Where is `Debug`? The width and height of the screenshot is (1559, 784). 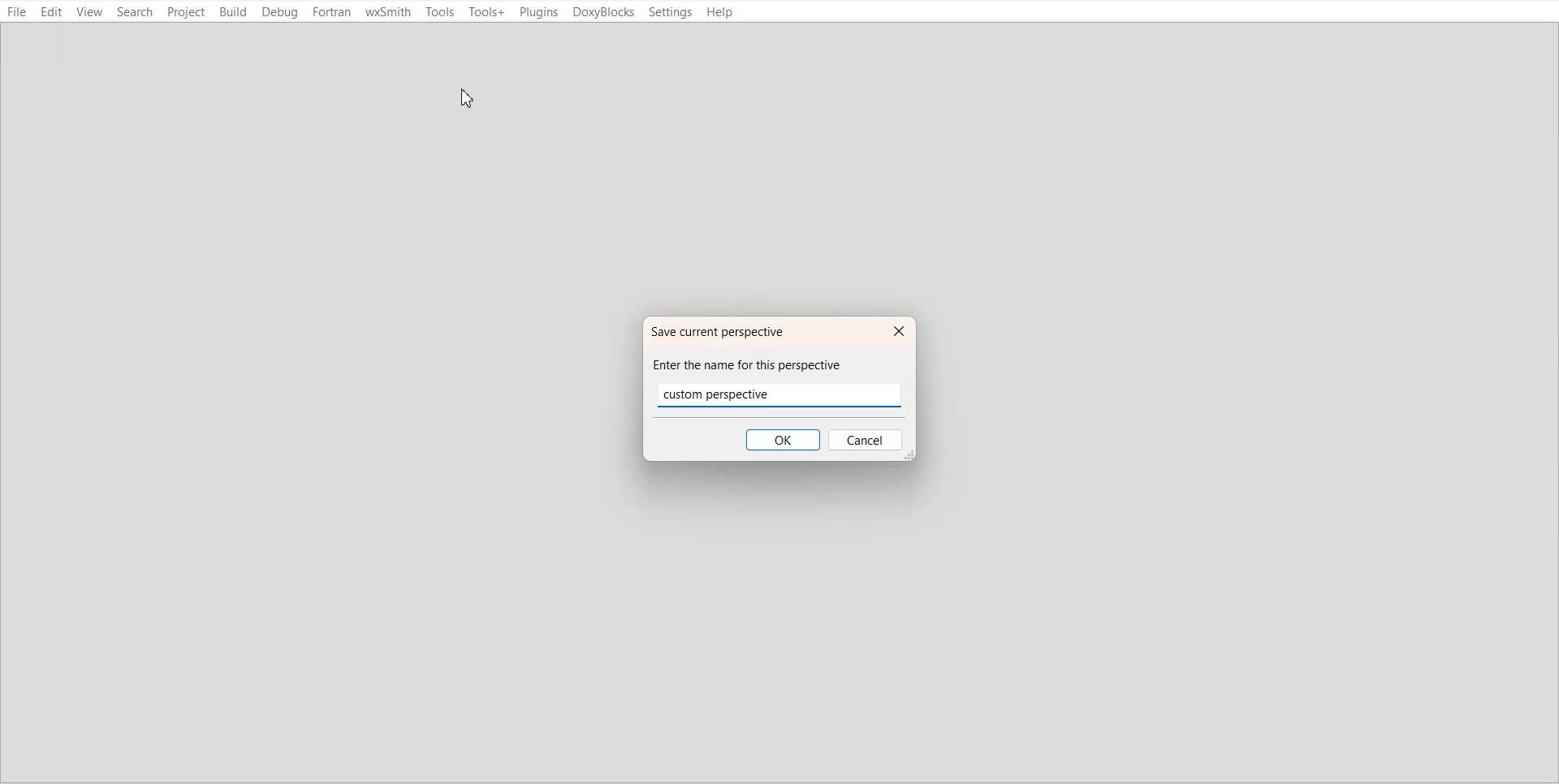
Debug is located at coordinates (281, 13).